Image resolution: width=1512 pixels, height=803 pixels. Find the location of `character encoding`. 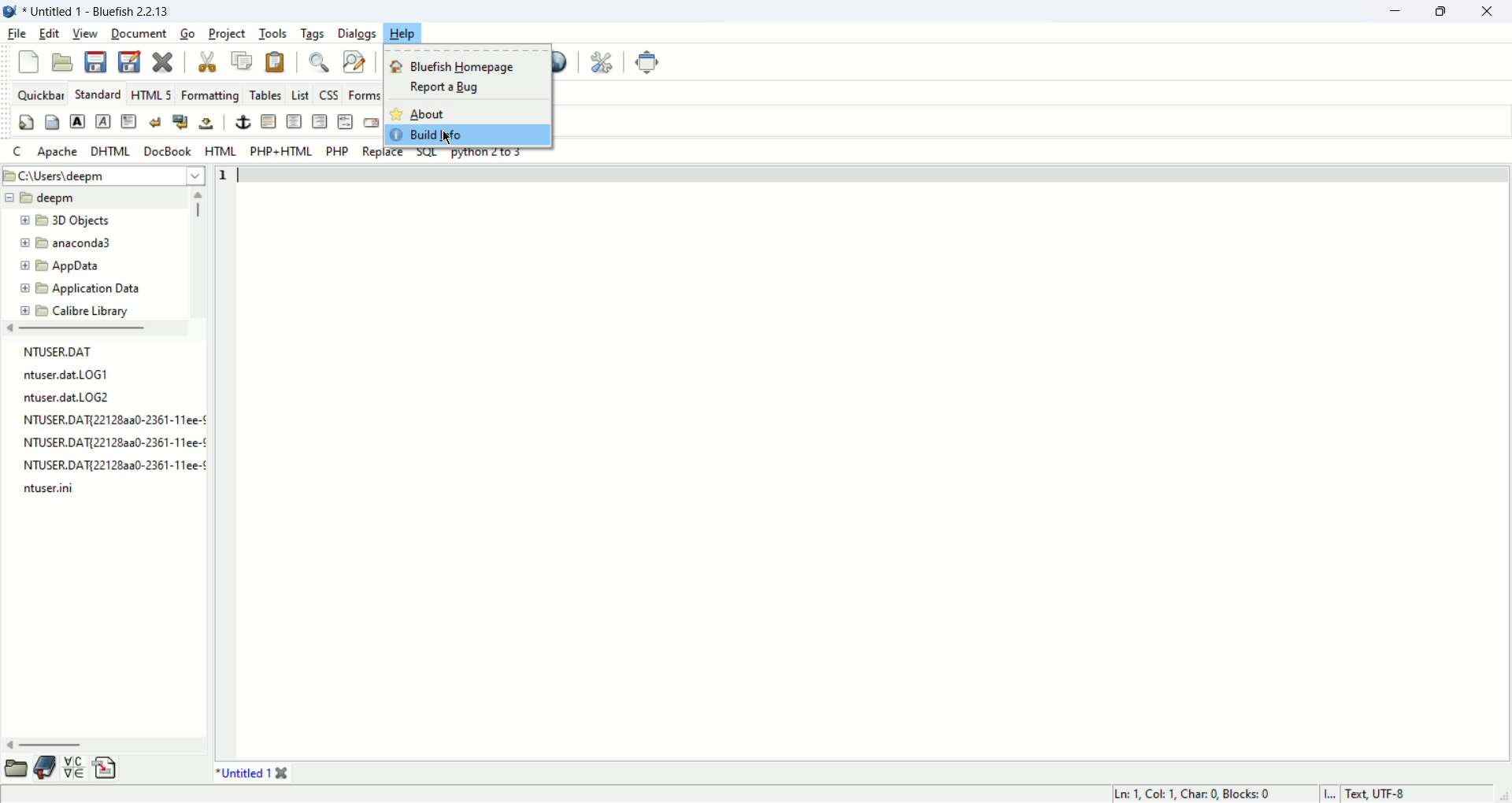

character encoding is located at coordinates (1388, 793).